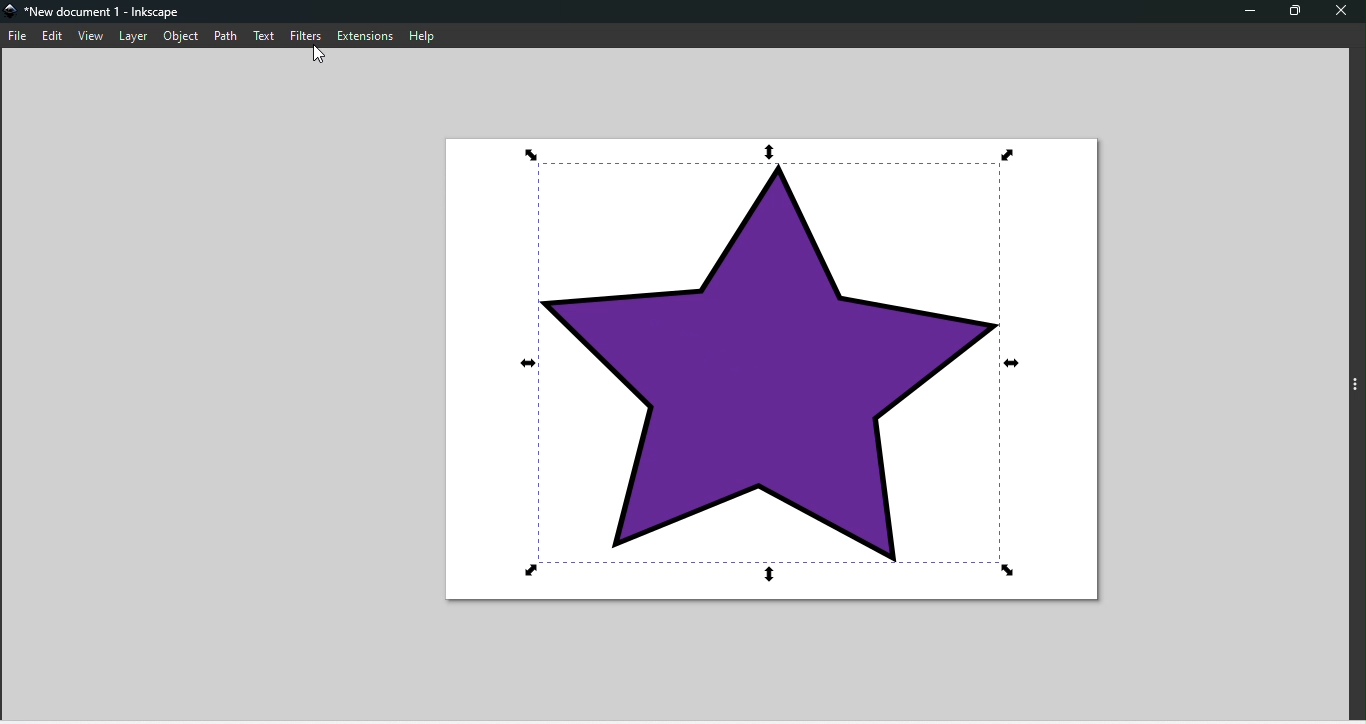 The image size is (1366, 724). I want to click on Maximize, so click(1295, 12).